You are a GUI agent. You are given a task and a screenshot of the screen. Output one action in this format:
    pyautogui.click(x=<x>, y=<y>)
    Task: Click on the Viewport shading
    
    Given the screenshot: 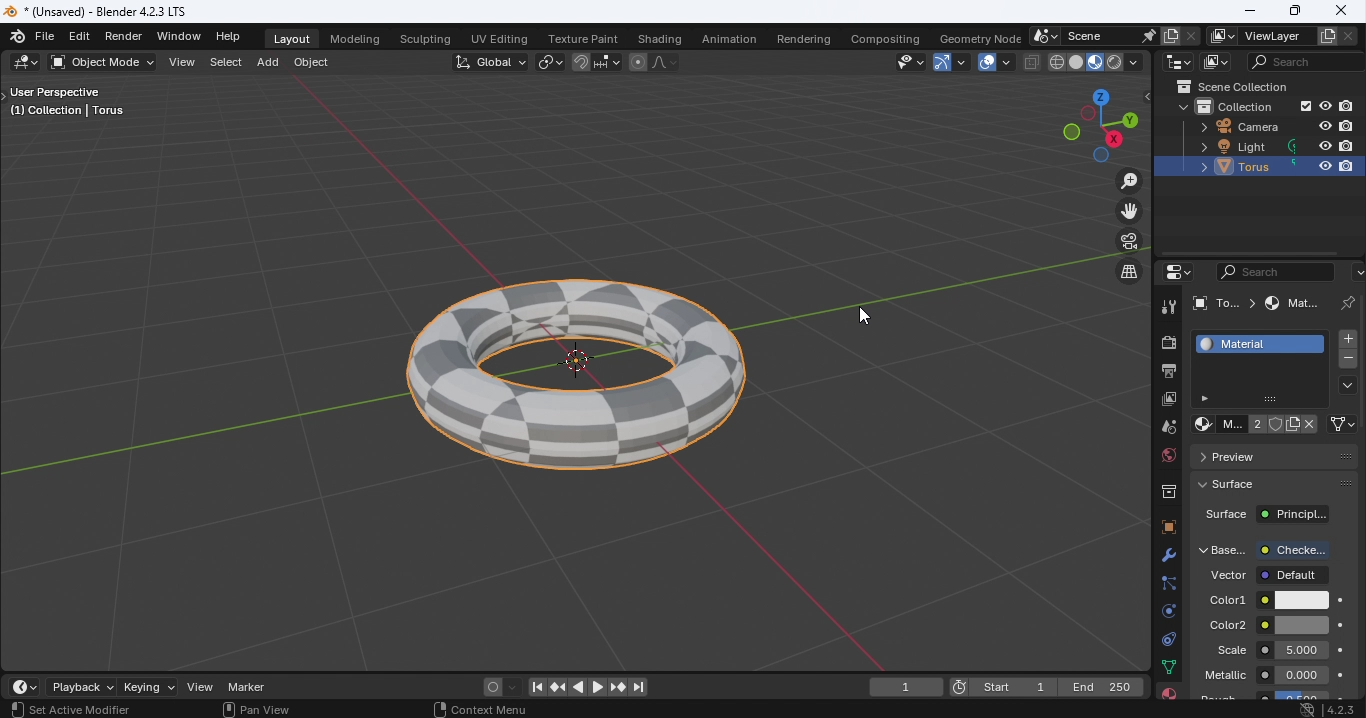 What is the action you would take?
    pyautogui.click(x=1114, y=62)
    